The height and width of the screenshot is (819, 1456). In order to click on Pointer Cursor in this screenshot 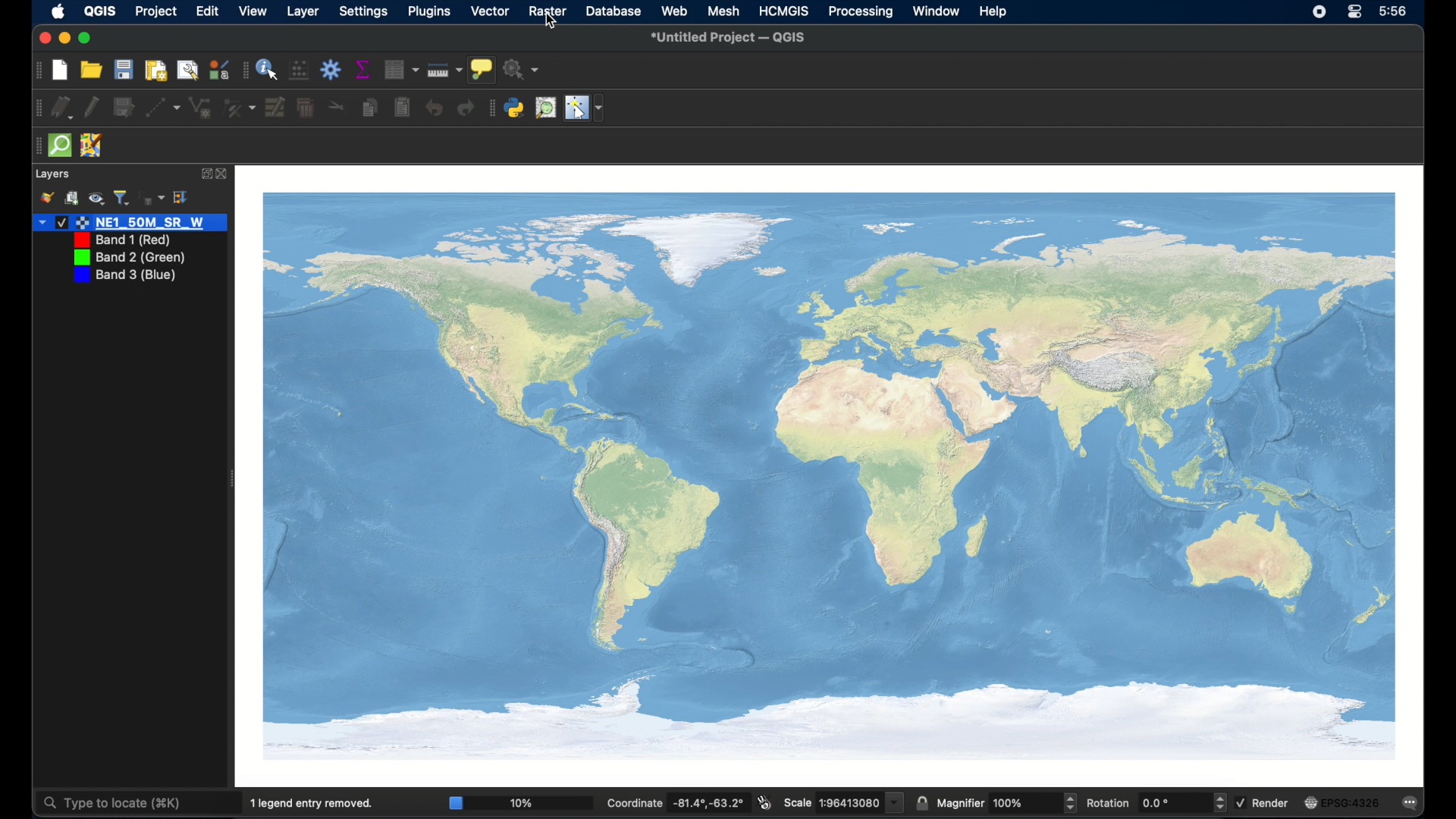, I will do `click(553, 25)`.